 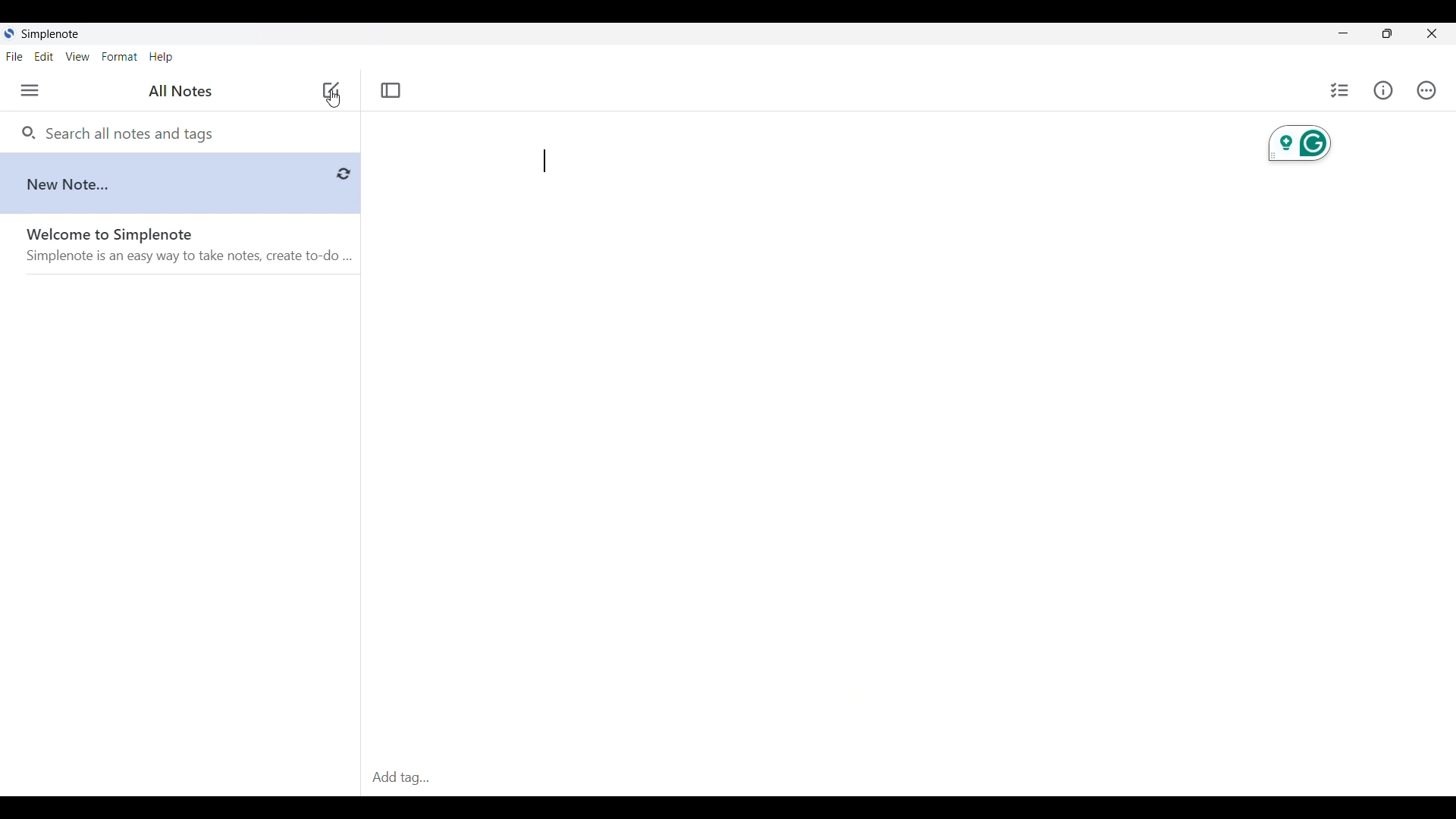 What do you see at coordinates (43, 56) in the screenshot?
I see `Edit` at bounding box center [43, 56].